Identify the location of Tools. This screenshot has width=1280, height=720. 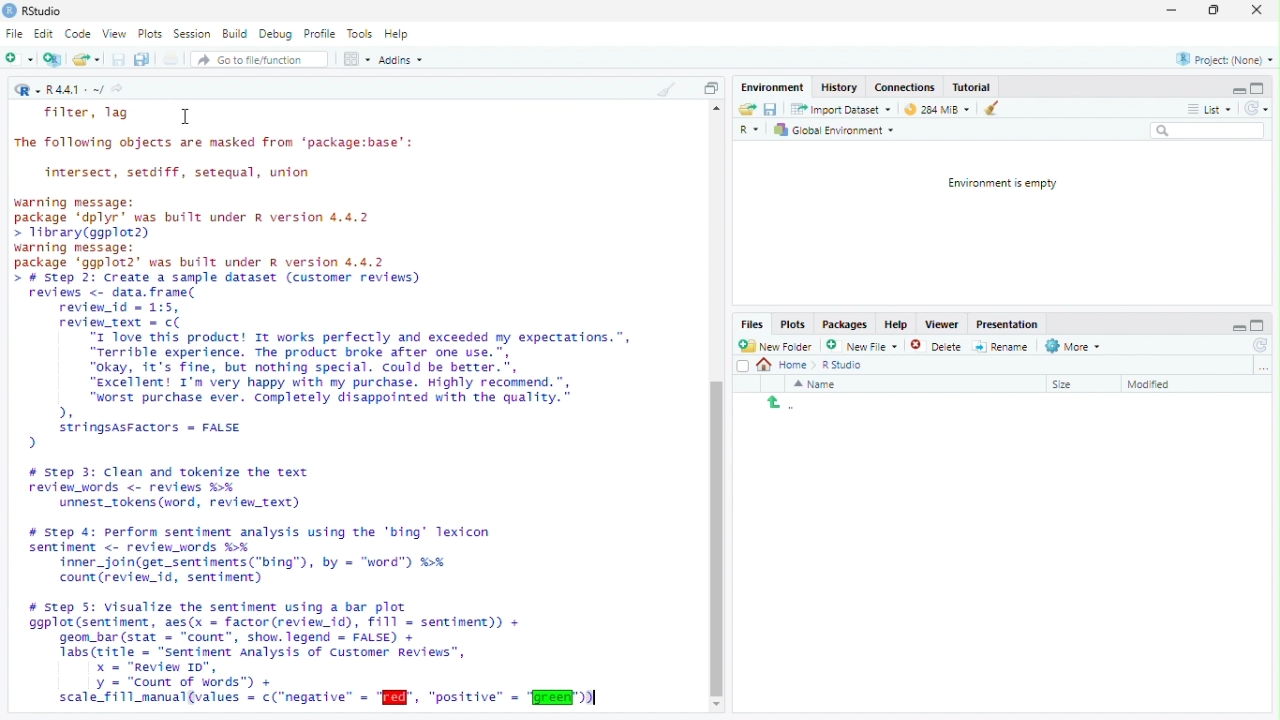
(360, 34).